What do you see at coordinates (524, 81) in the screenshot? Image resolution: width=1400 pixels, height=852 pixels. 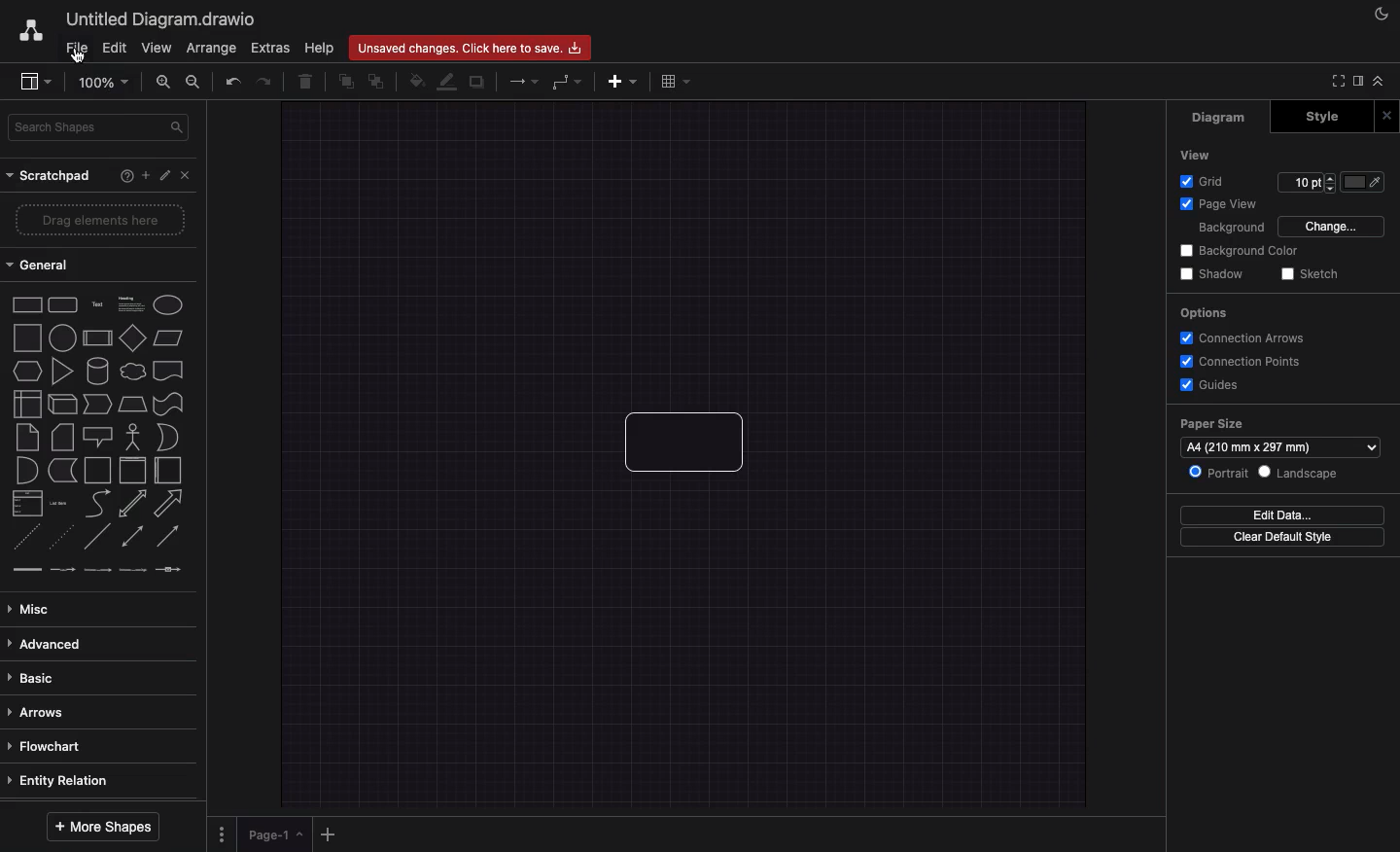 I see `Connection` at bounding box center [524, 81].